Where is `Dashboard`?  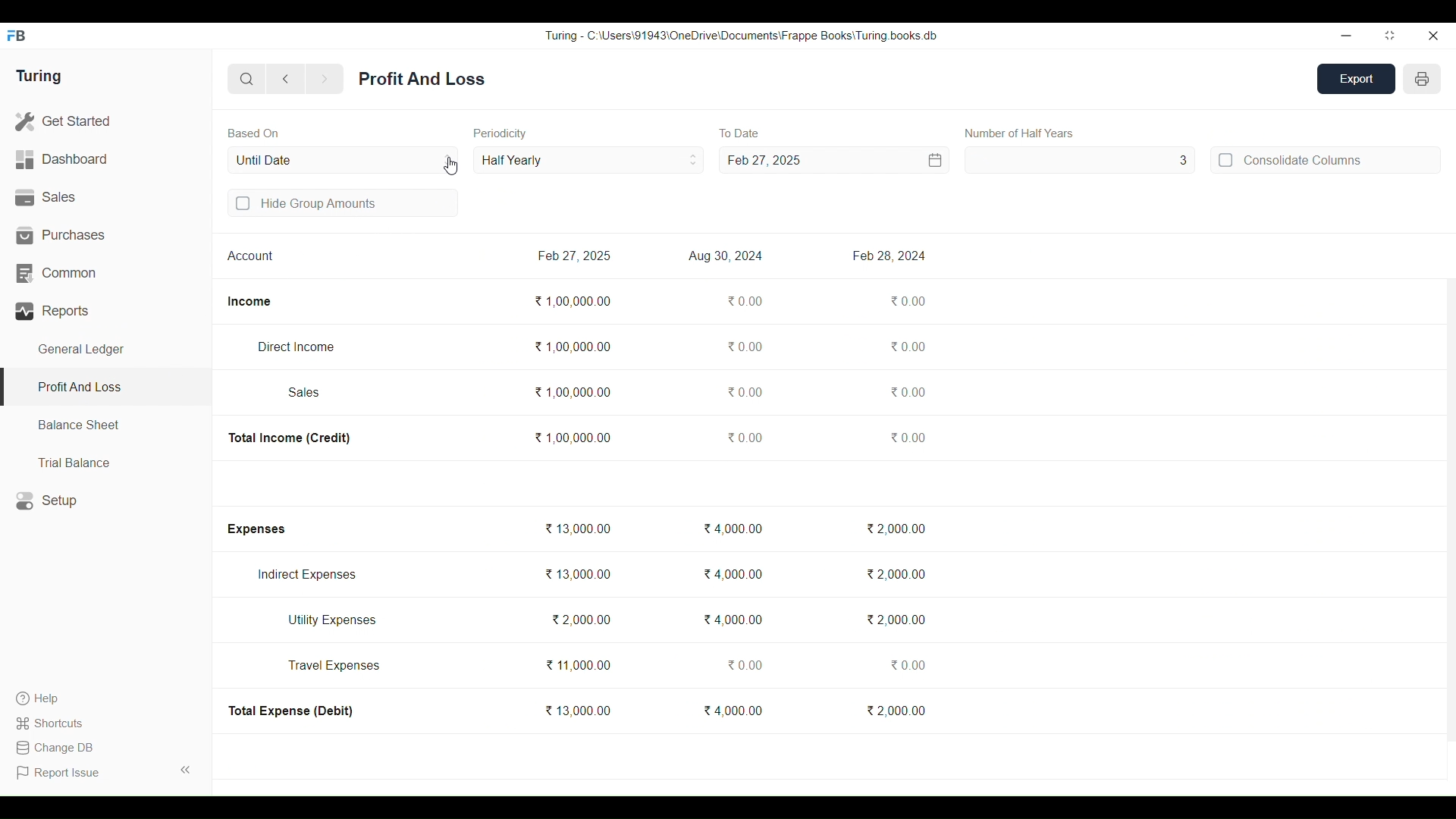
Dashboard is located at coordinates (105, 160).